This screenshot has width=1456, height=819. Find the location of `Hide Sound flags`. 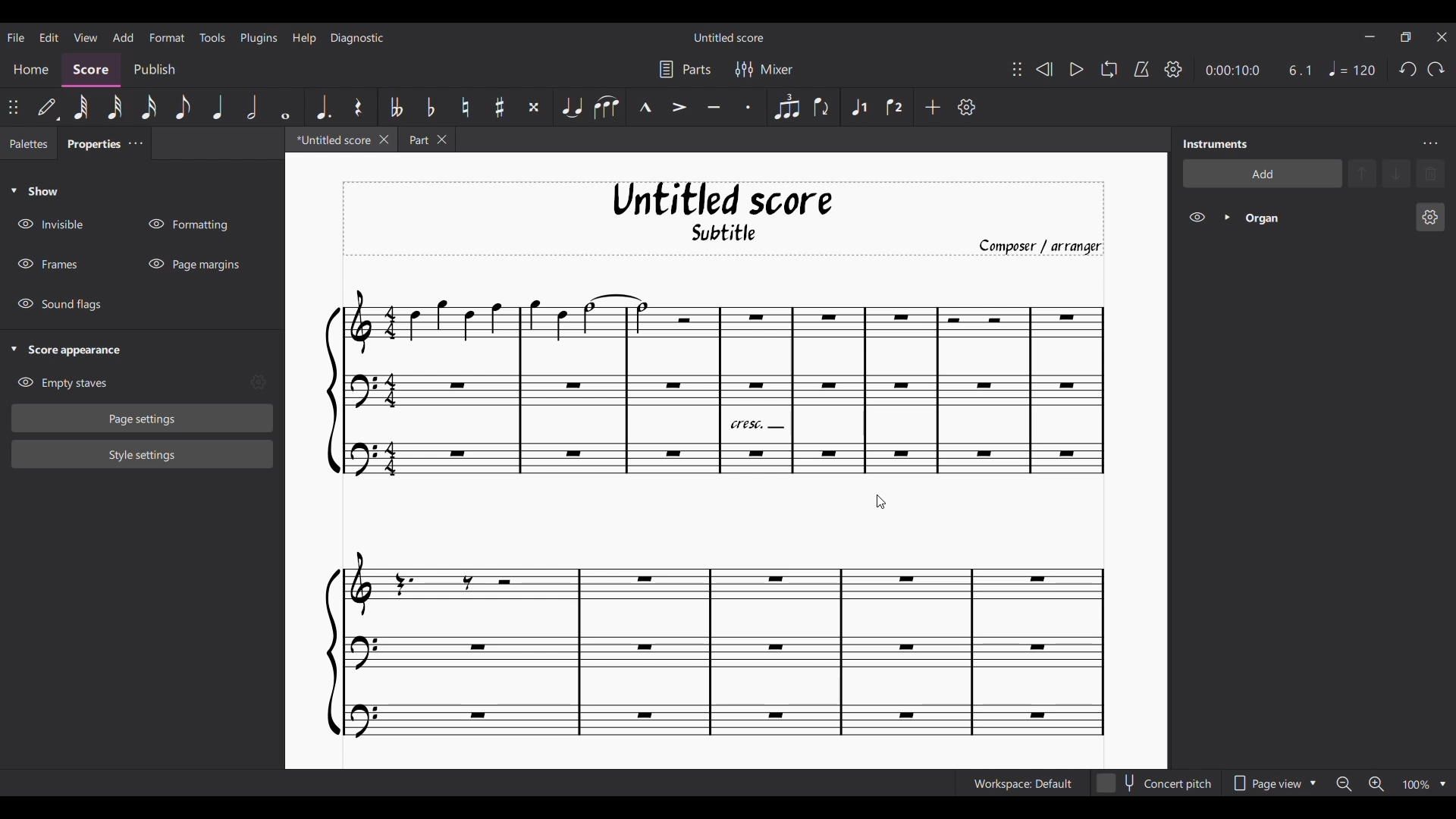

Hide Sound flags is located at coordinates (58, 305).